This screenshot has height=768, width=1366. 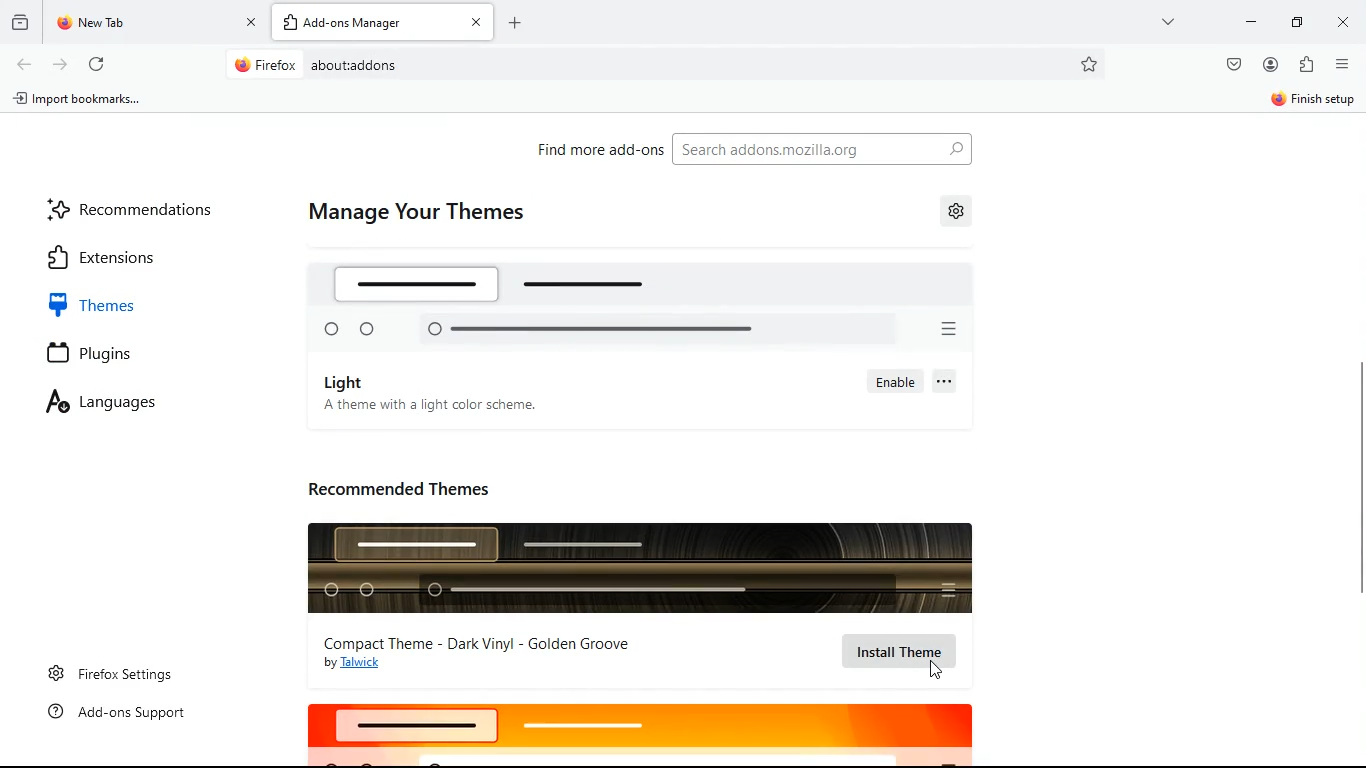 I want to click on manage your themes, so click(x=416, y=215).